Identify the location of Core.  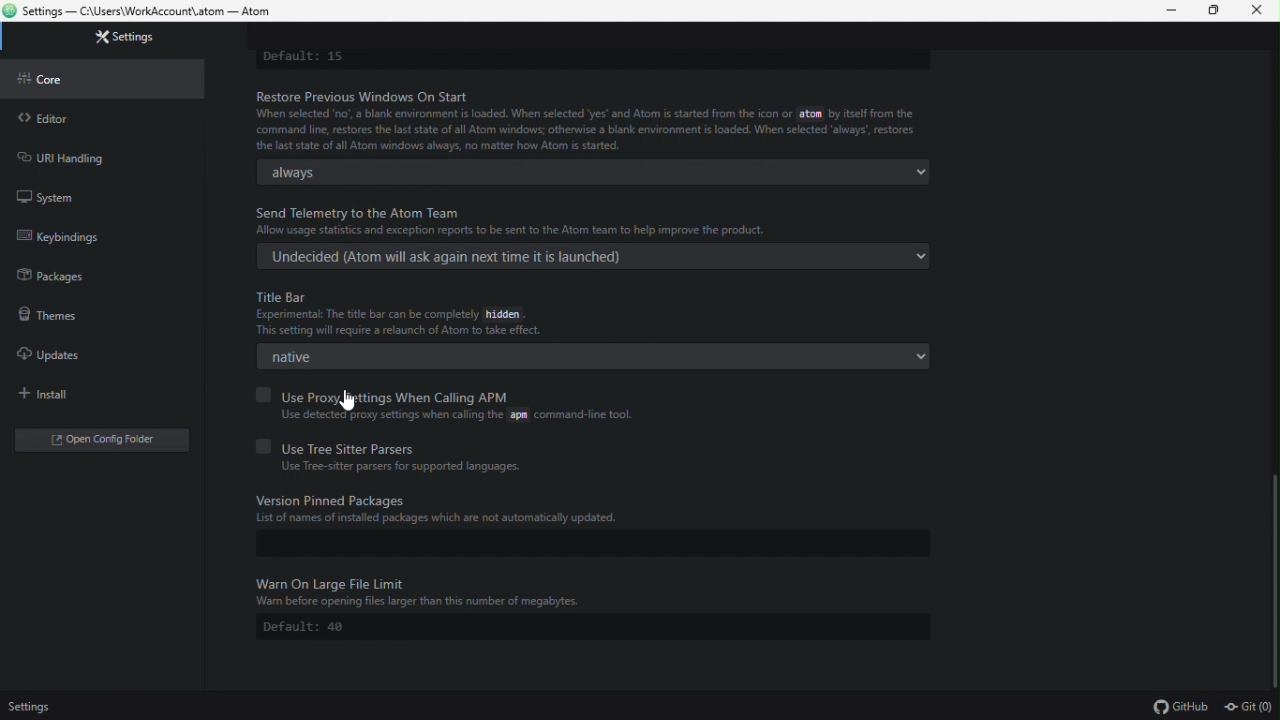
(110, 78).